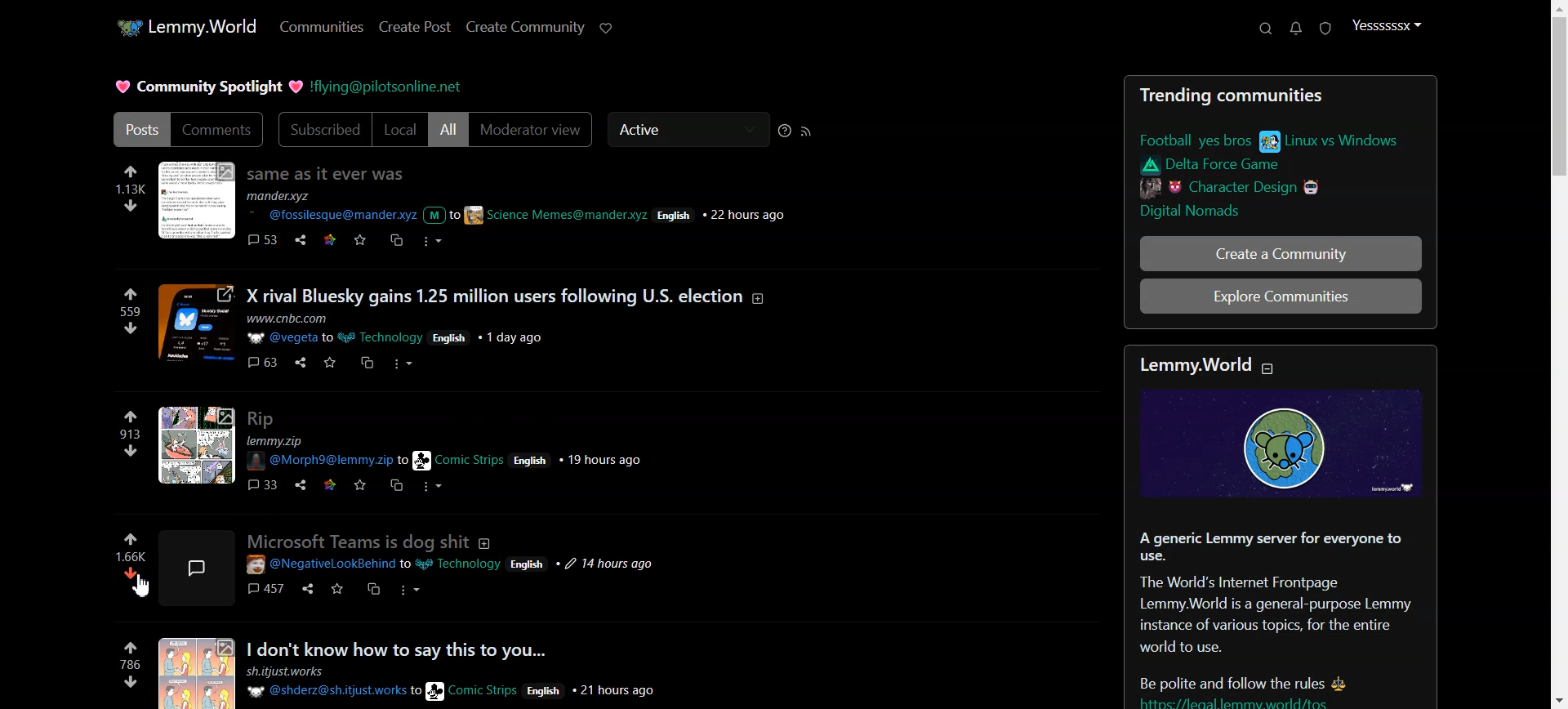 This screenshot has width=1568, height=709. I want to click on Posts, so click(461, 671).